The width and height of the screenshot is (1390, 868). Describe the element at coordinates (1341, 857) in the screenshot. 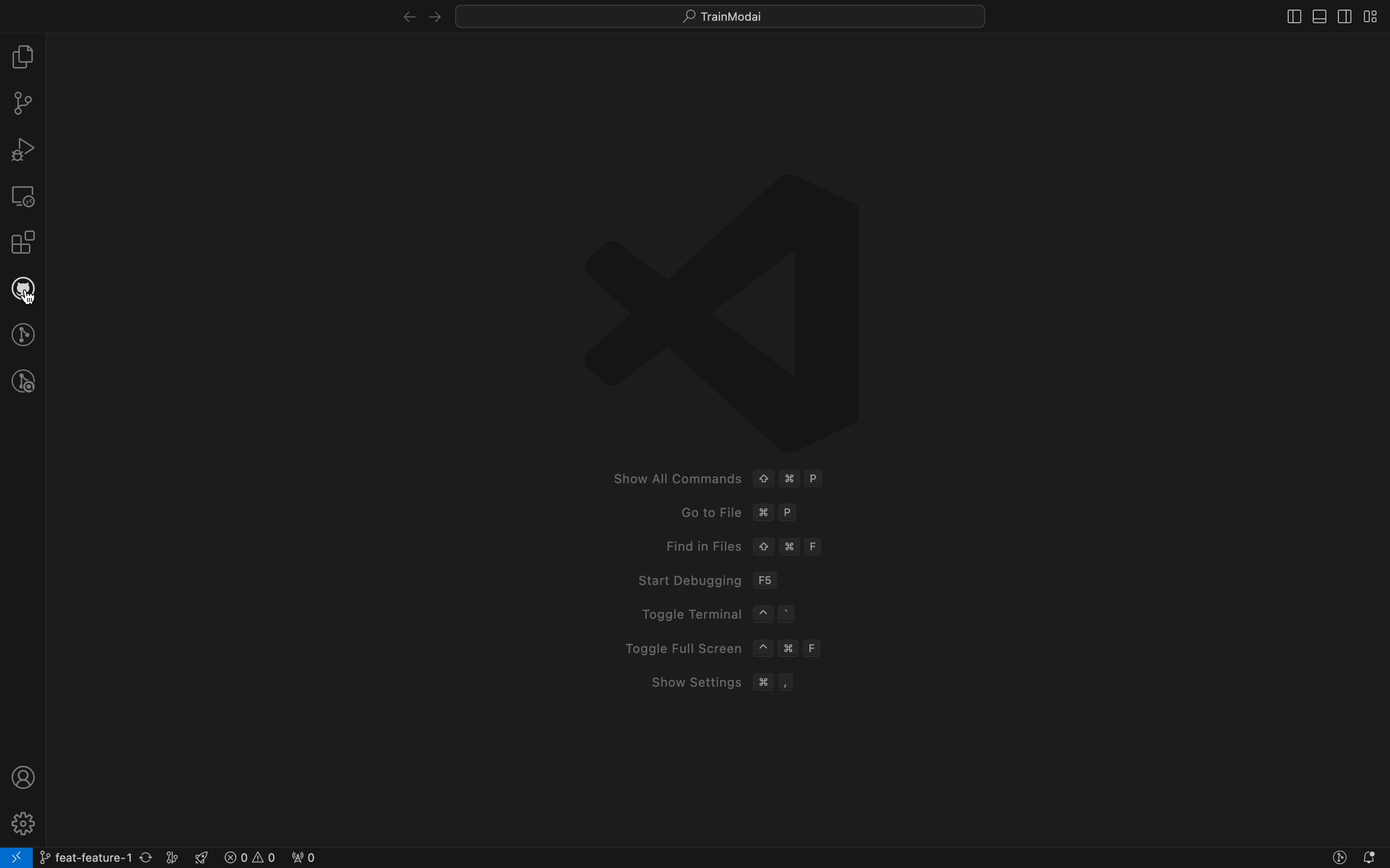

I see `git lens` at that location.